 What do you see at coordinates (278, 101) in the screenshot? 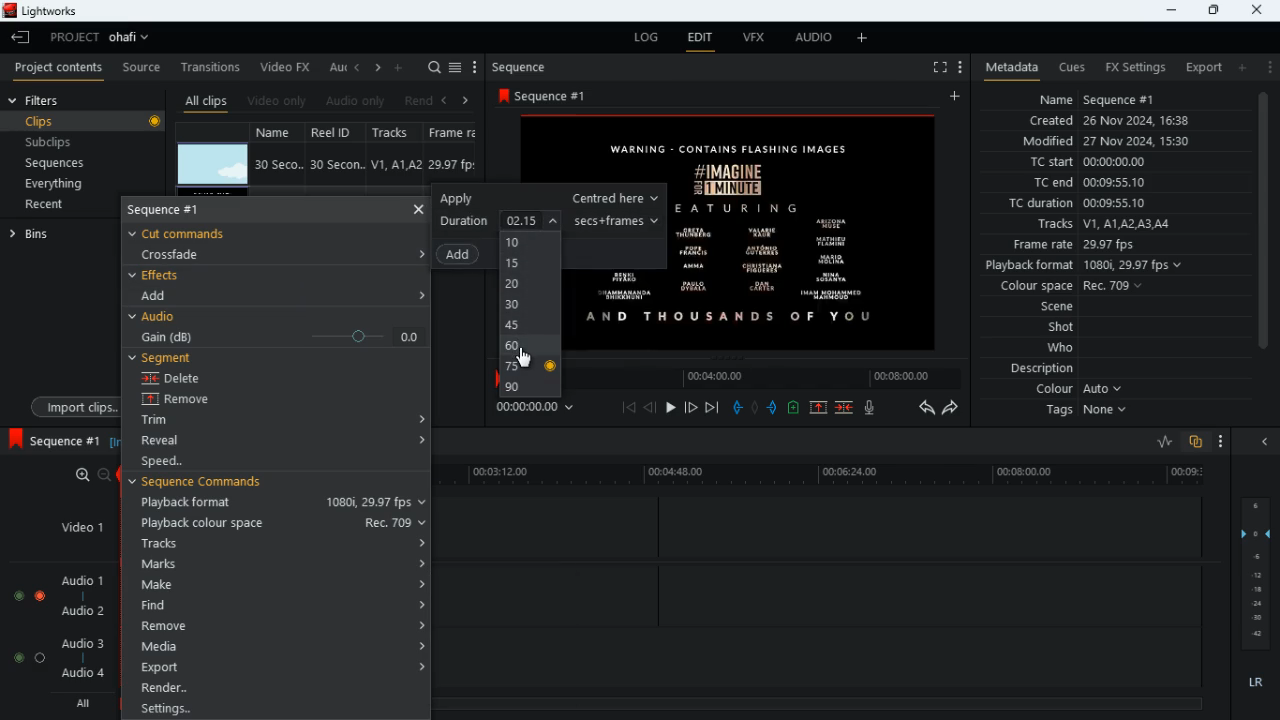
I see `video only` at bounding box center [278, 101].